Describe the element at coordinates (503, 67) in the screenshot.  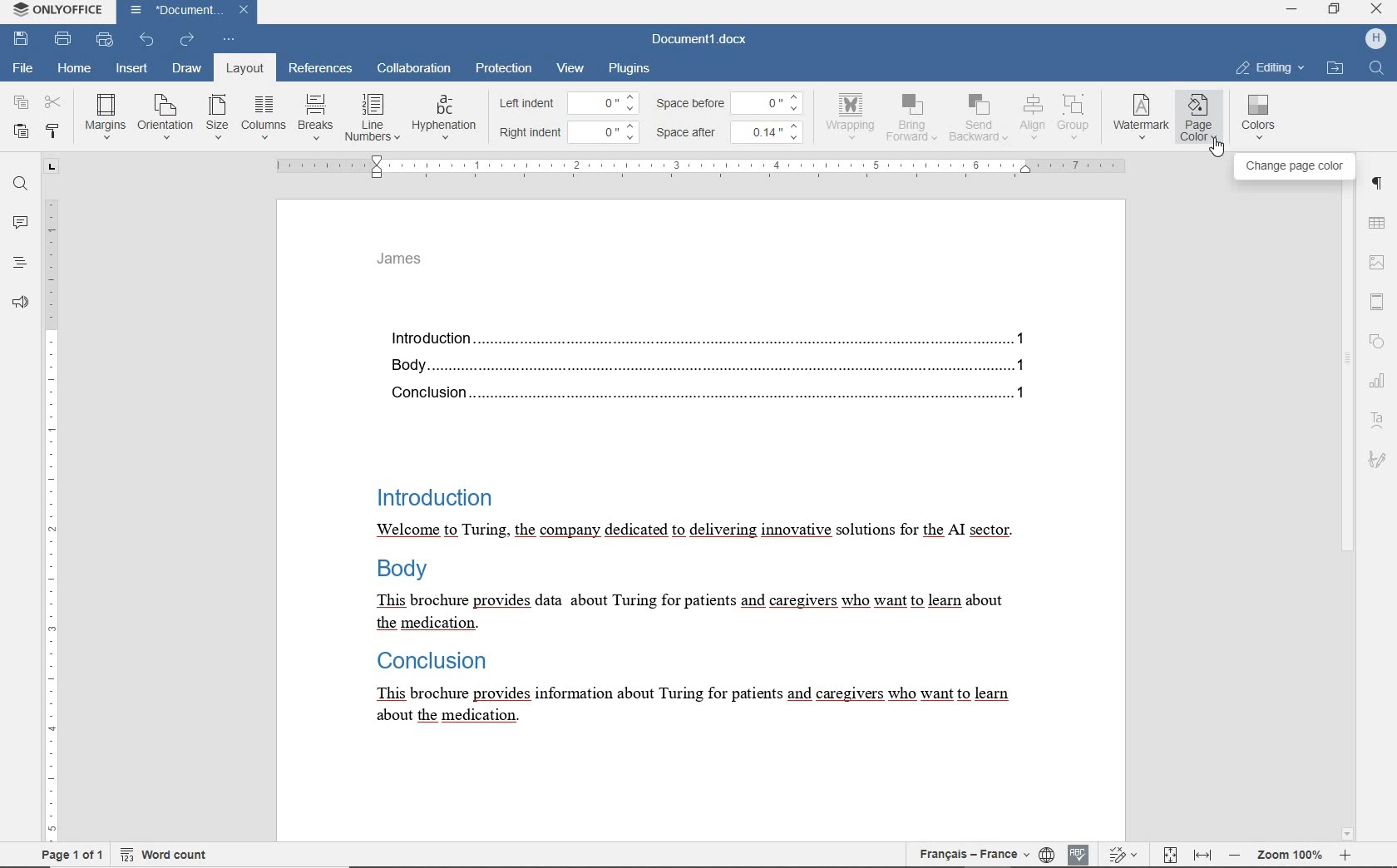
I see `protection` at that location.